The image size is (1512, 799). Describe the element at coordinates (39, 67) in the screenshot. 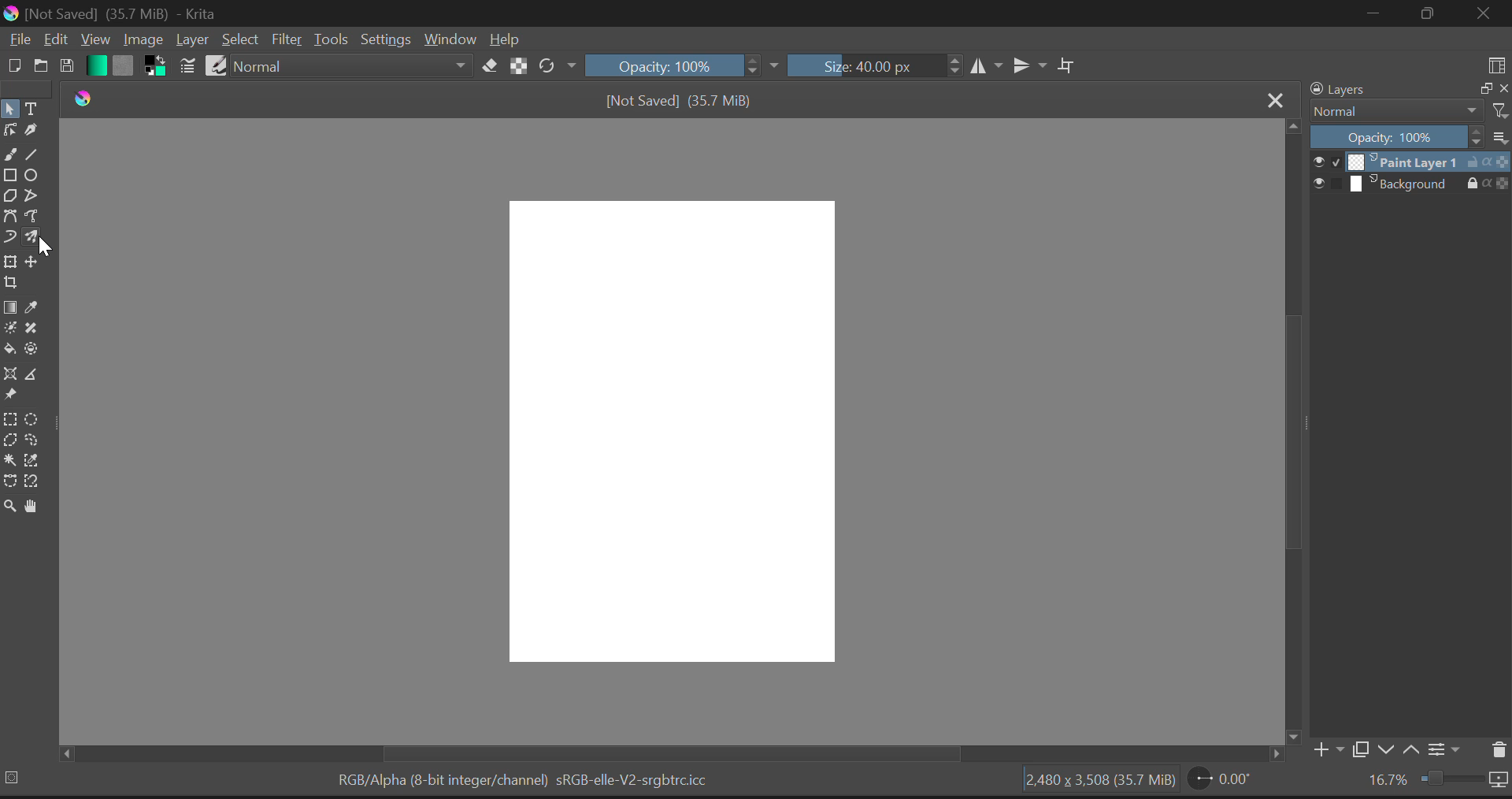

I see `Open` at that location.